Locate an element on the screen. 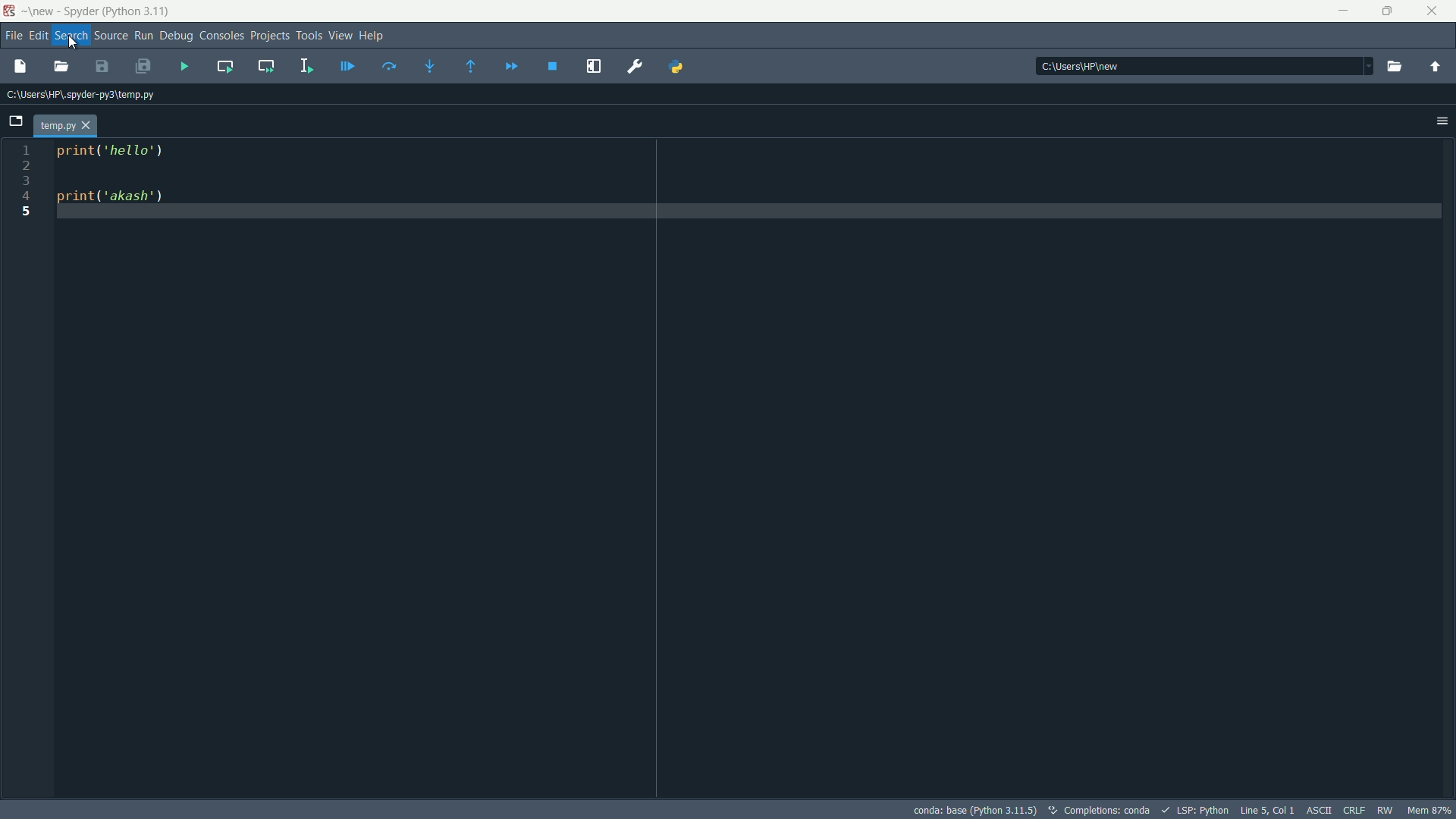 This screenshot has width=1456, height=819. continue execution until next breakpoint is located at coordinates (510, 67).